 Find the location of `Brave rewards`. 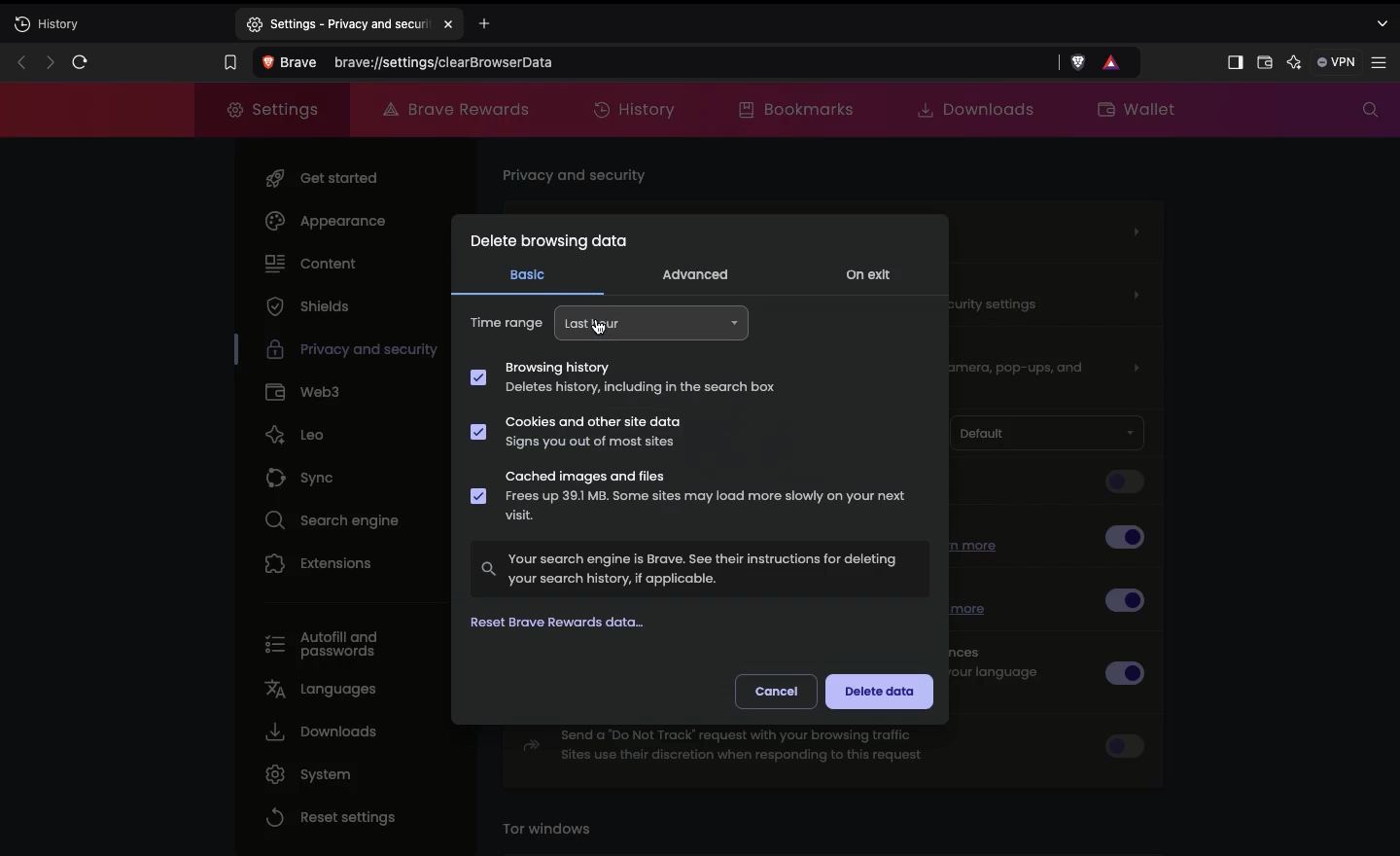

Brave rewards is located at coordinates (454, 108).